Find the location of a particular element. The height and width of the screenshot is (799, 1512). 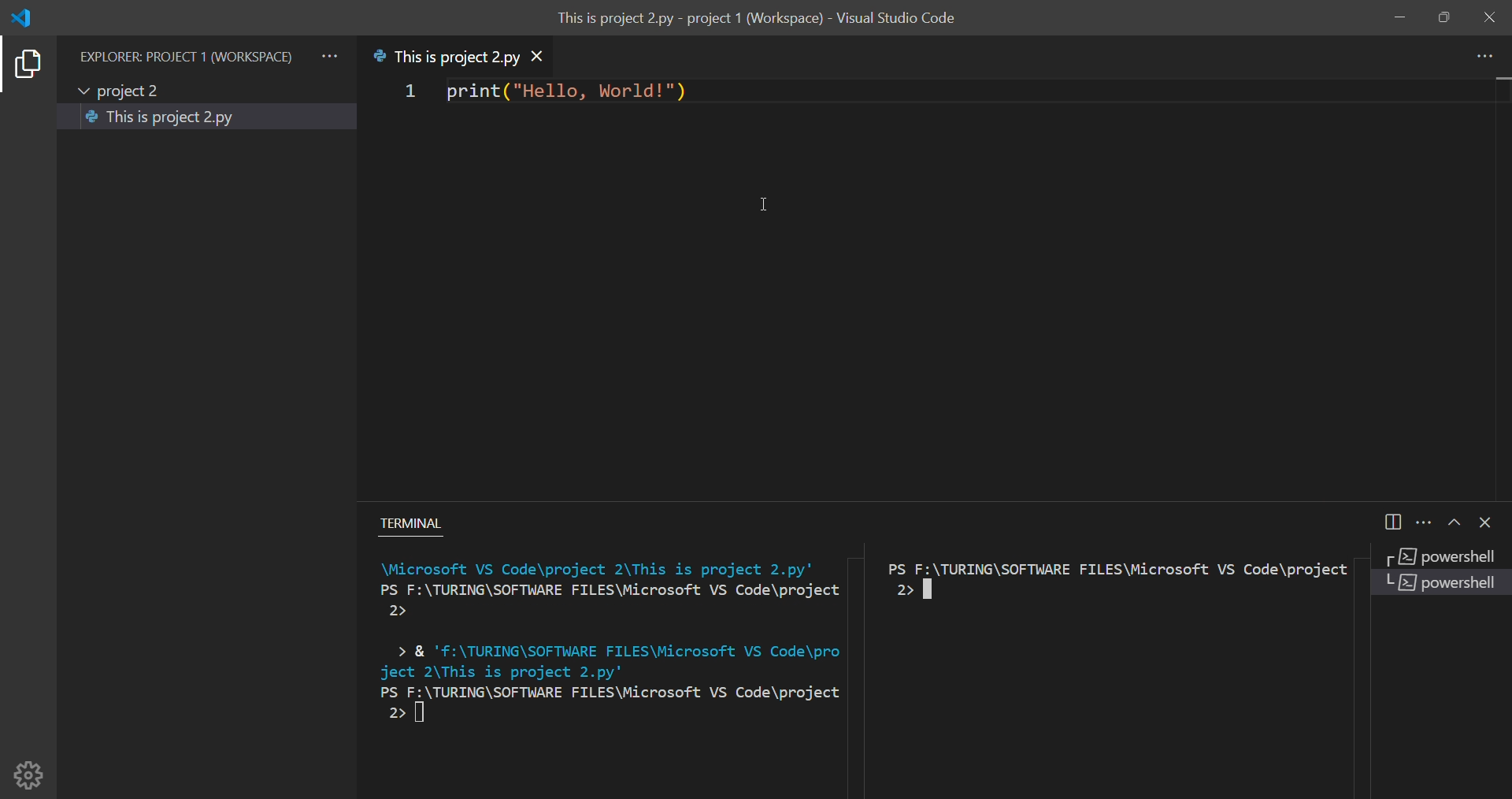

close tab is located at coordinates (553, 55).